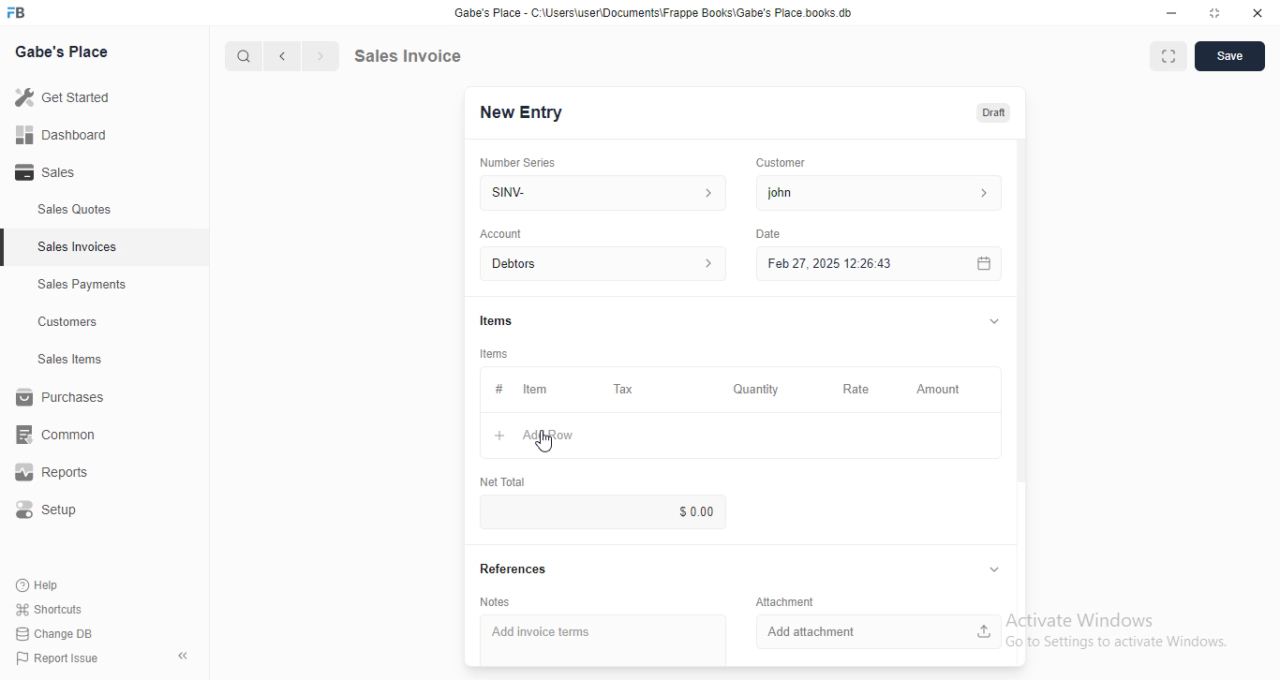 The height and width of the screenshot is (680, 1280). Describe the element at coordinates (537, 630) in the screenshot. I see `Add invoice terms` at that location.